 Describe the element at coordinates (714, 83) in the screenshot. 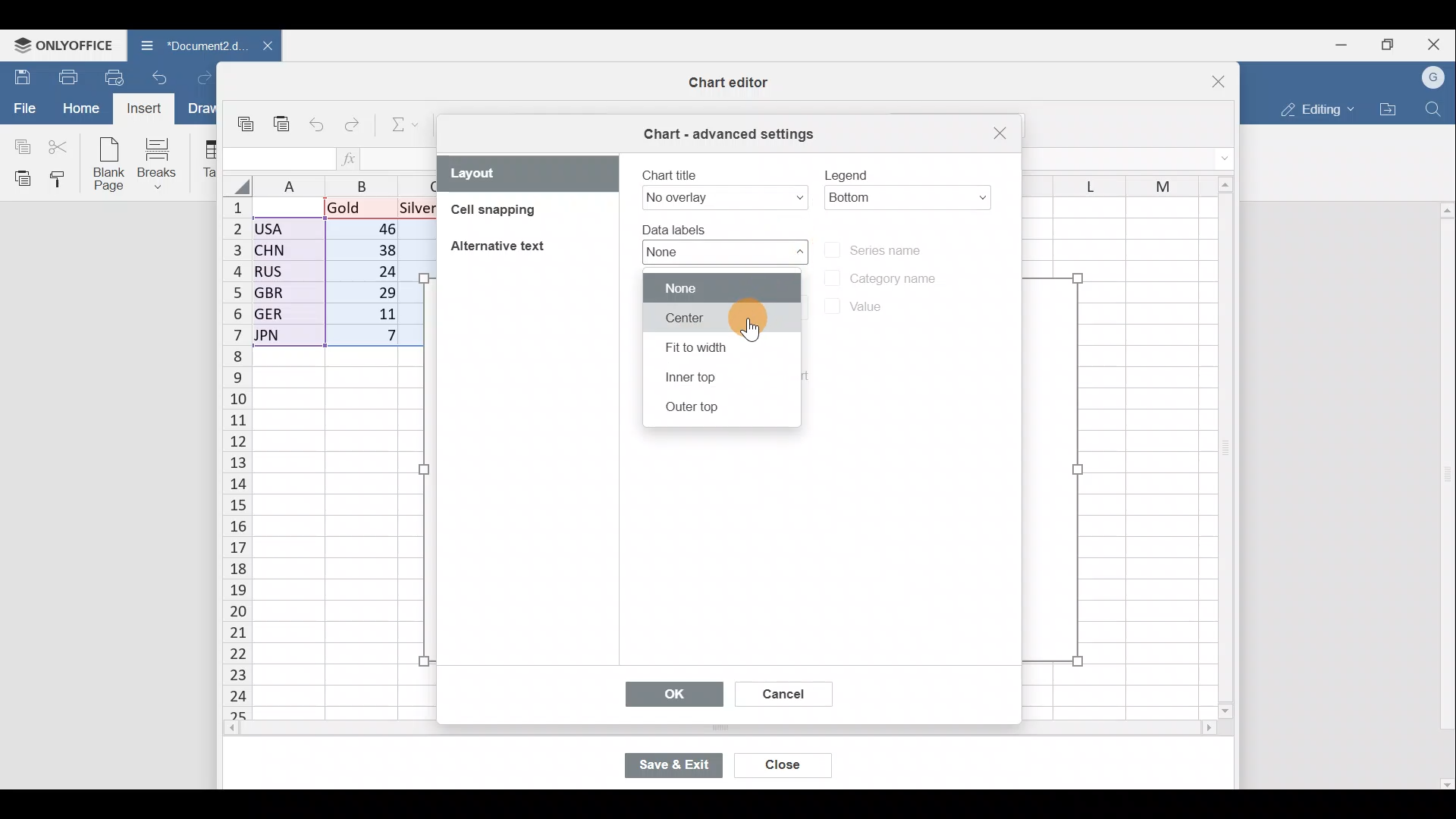

I see `Chart editor` at that location.